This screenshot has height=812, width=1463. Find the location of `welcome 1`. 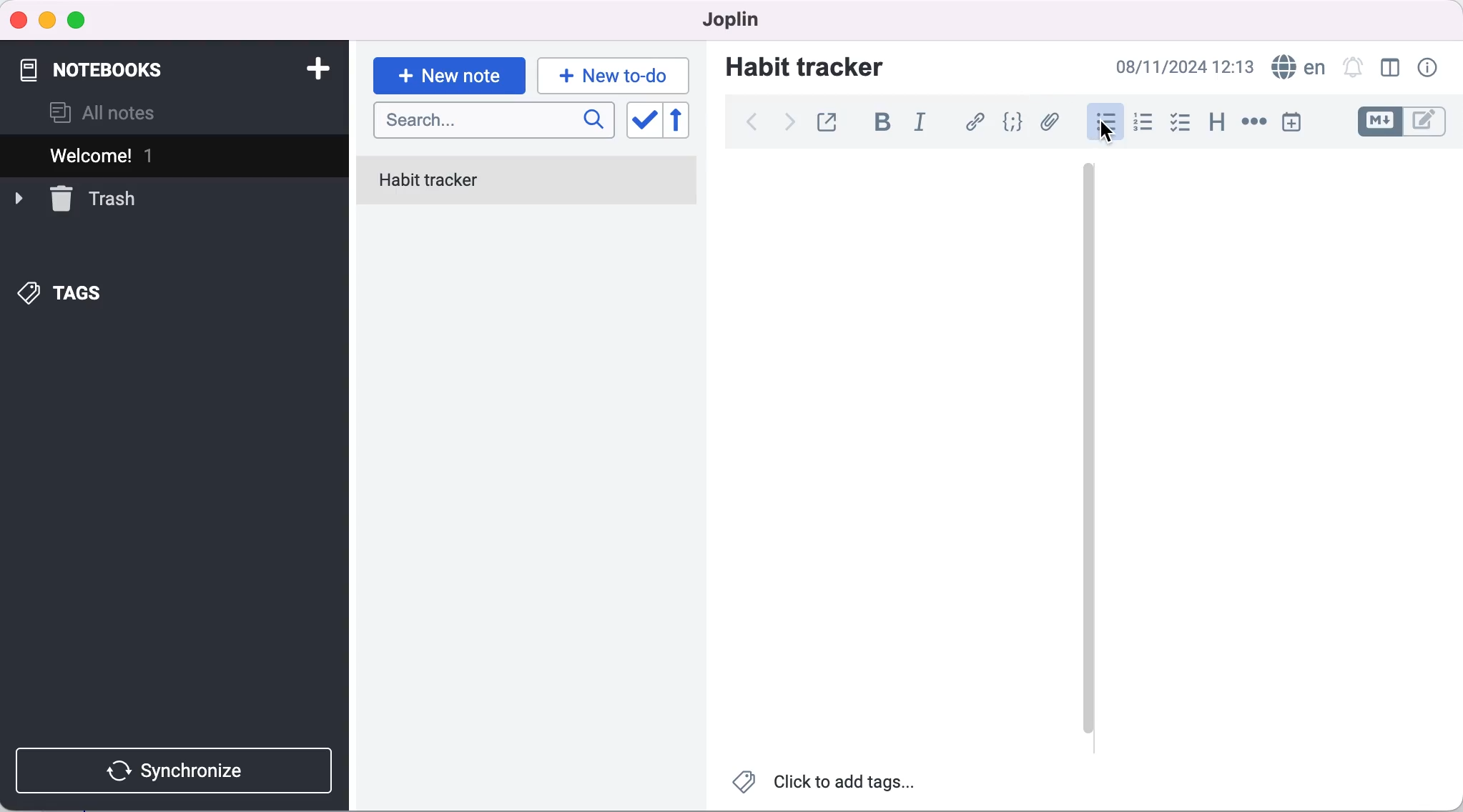

welcome 1 is located at coordinates (177, 155).